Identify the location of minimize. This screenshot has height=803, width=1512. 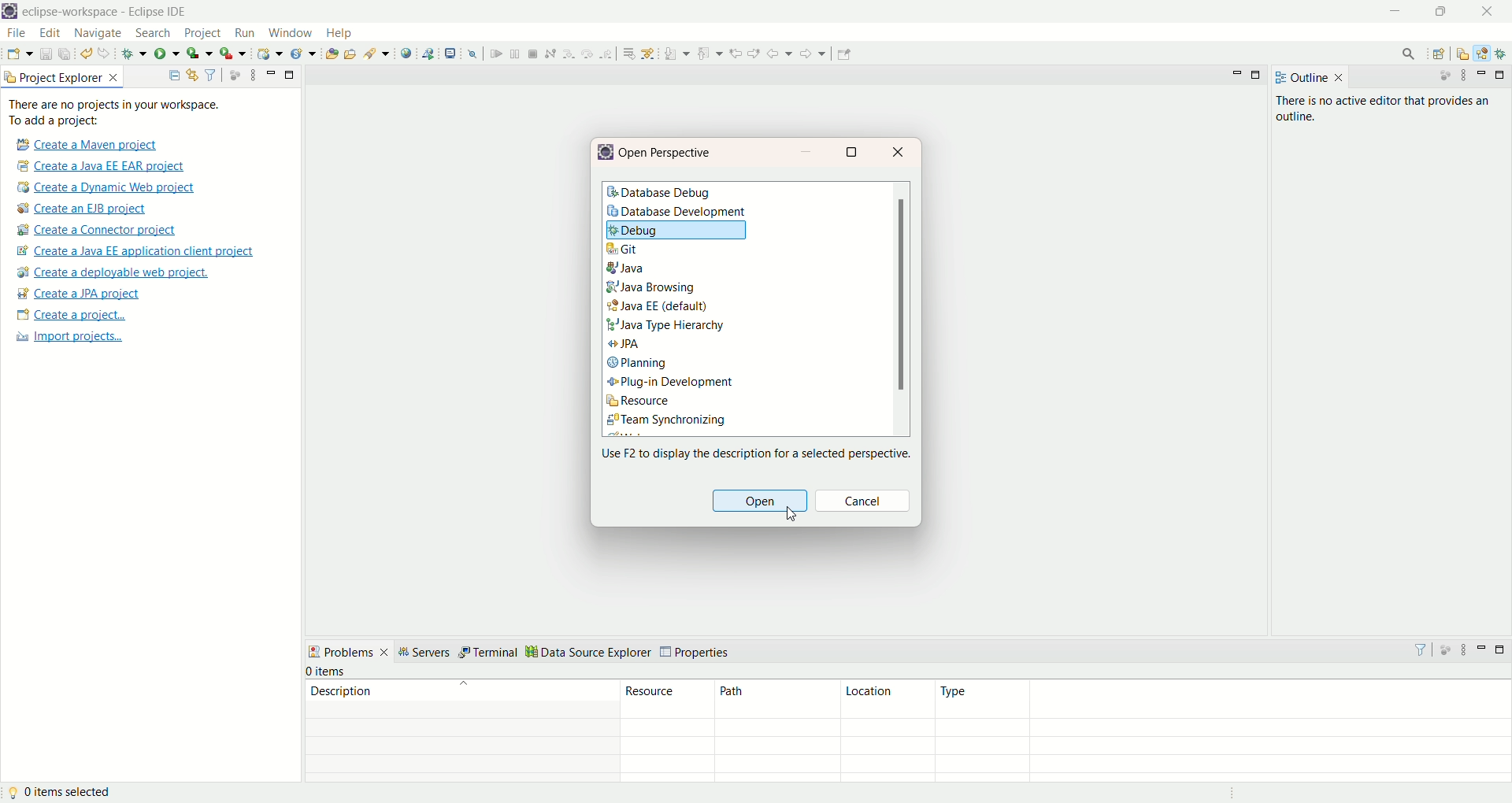
(1237, 73).